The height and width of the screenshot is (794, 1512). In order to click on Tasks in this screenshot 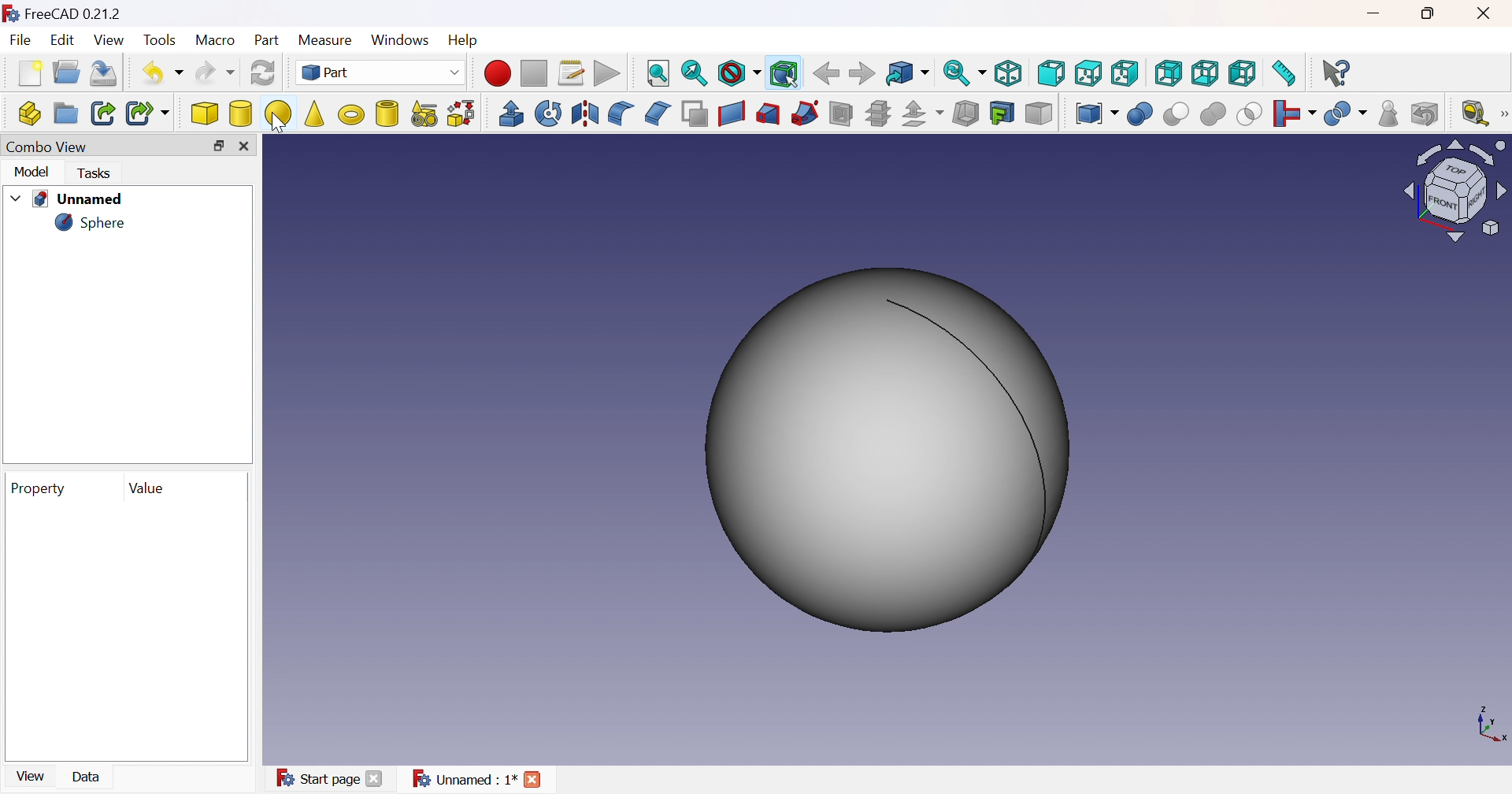, I will do `click(97, 173)`.